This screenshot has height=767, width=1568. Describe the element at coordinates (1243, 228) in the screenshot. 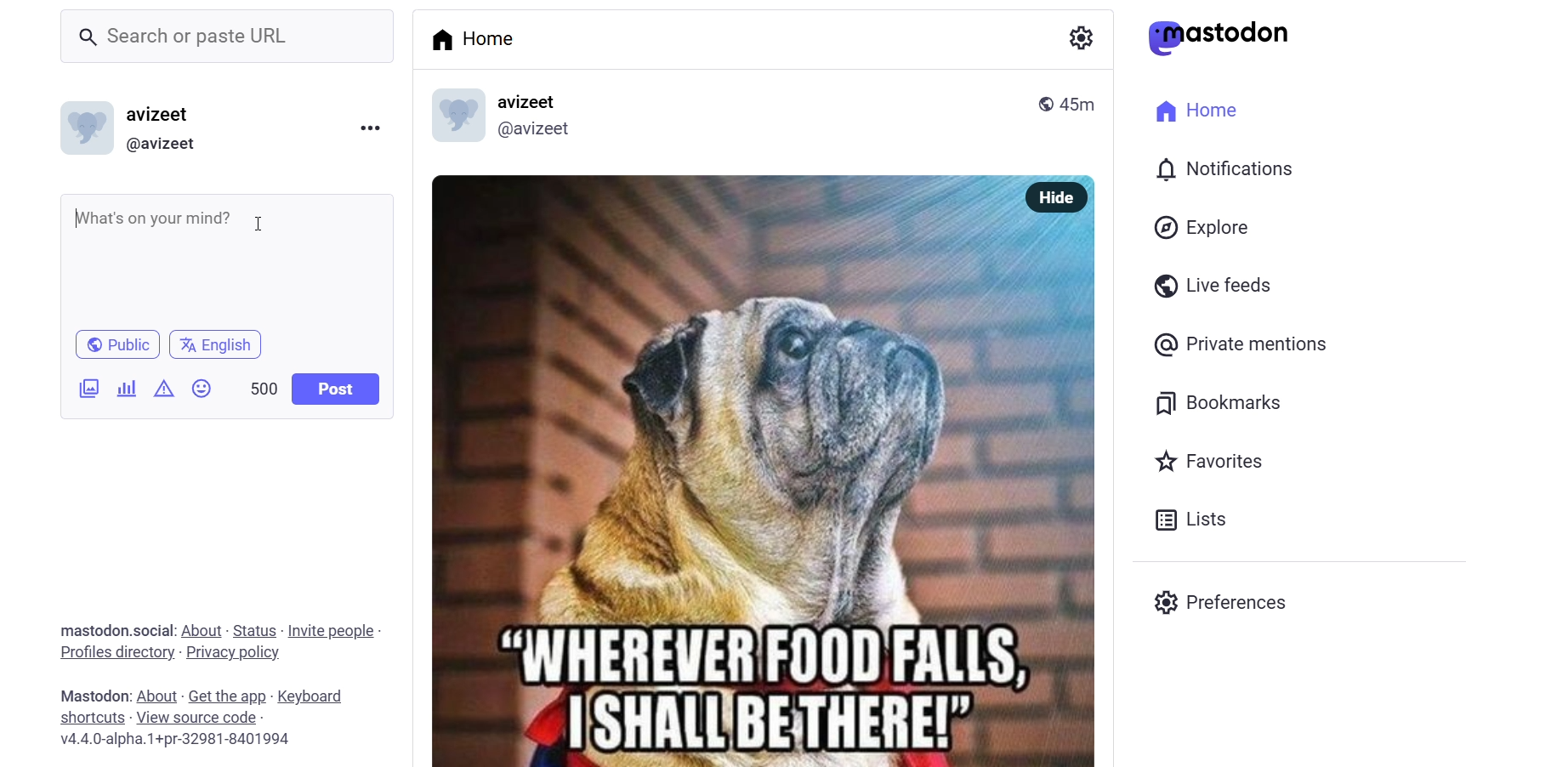

I see `Explore` at that location.